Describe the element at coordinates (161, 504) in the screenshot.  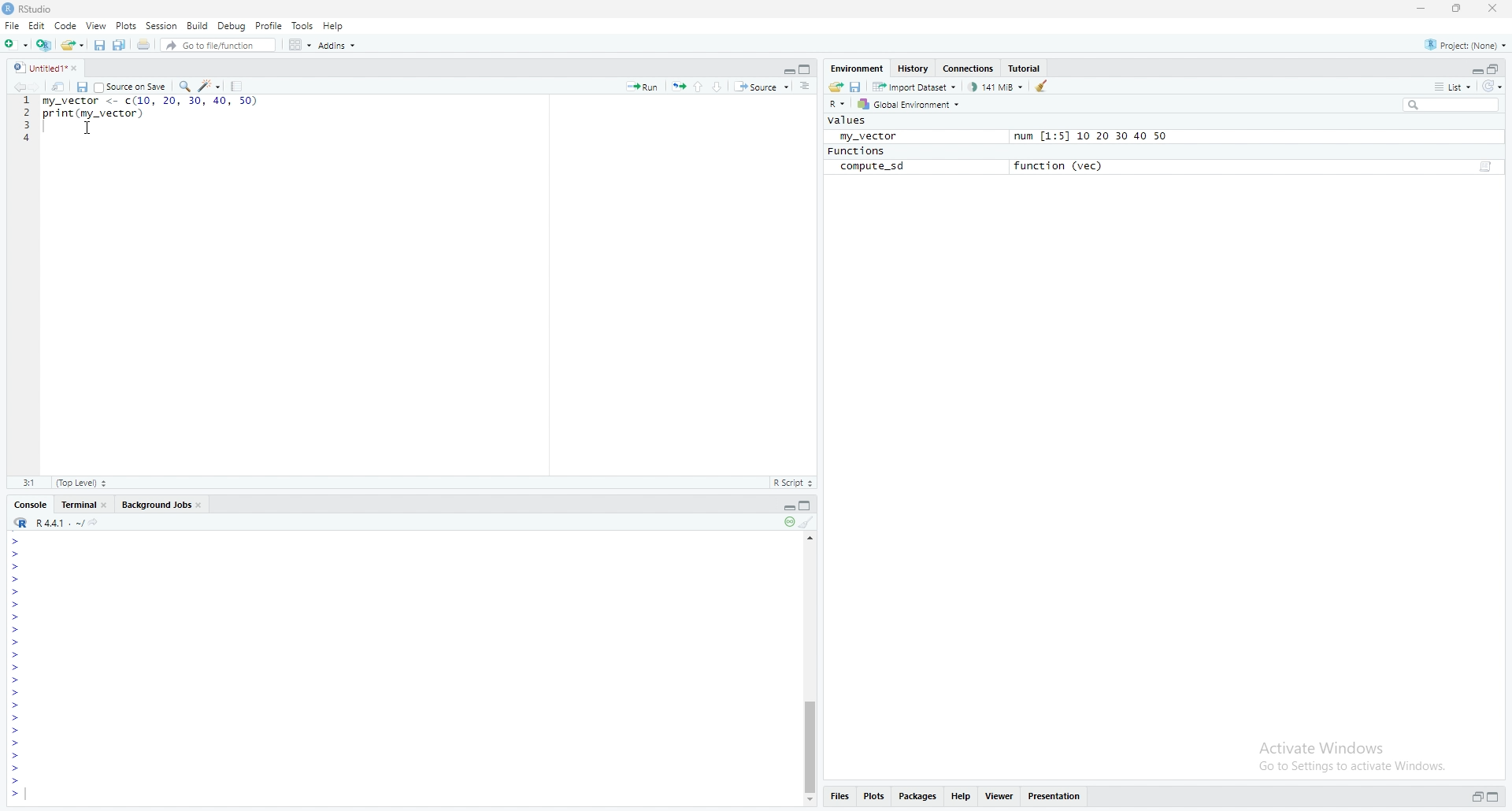
I see `Background Jobs` at that location.